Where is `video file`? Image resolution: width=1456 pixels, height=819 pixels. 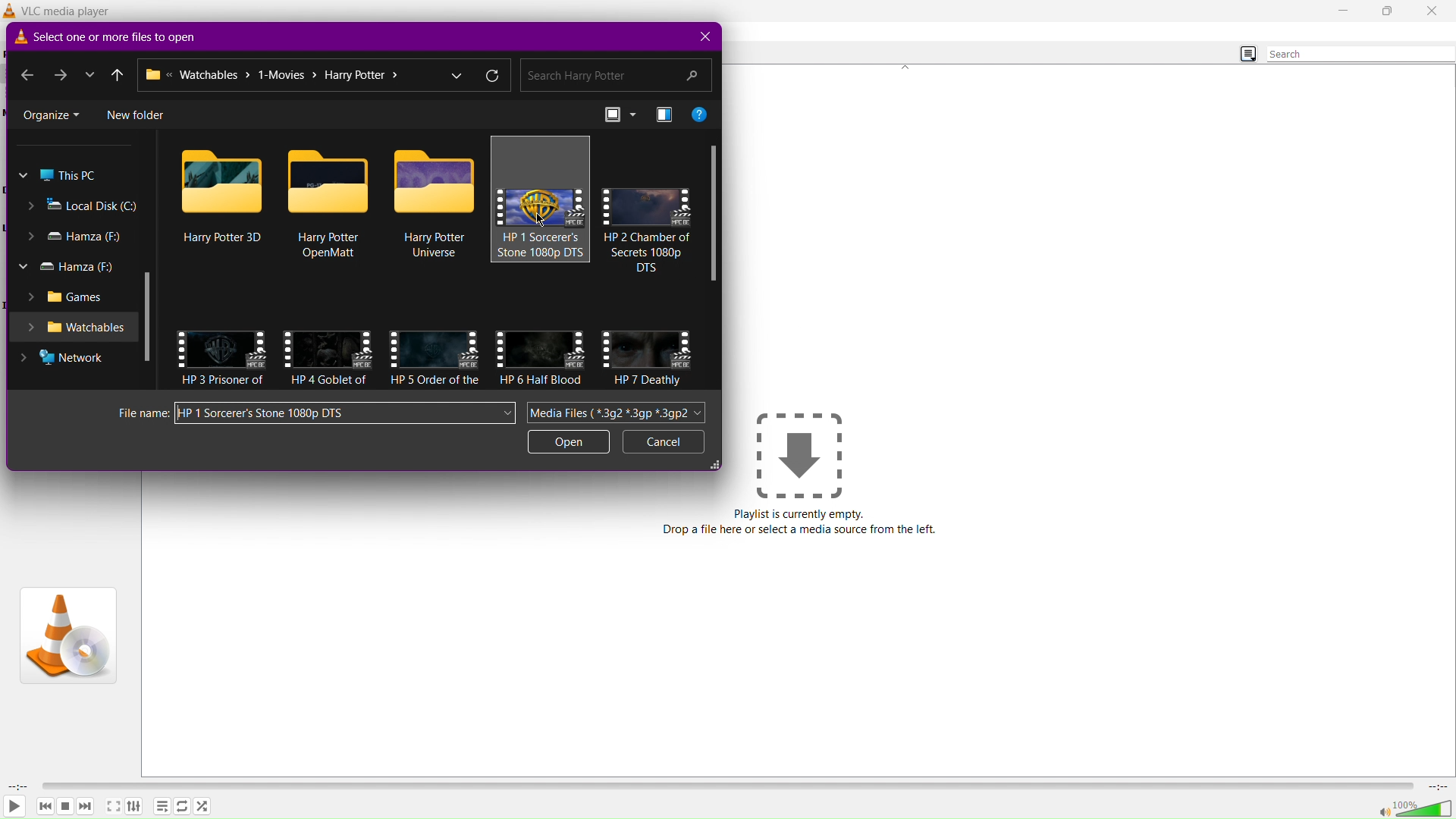 video file is located at coordinates (435, 348).